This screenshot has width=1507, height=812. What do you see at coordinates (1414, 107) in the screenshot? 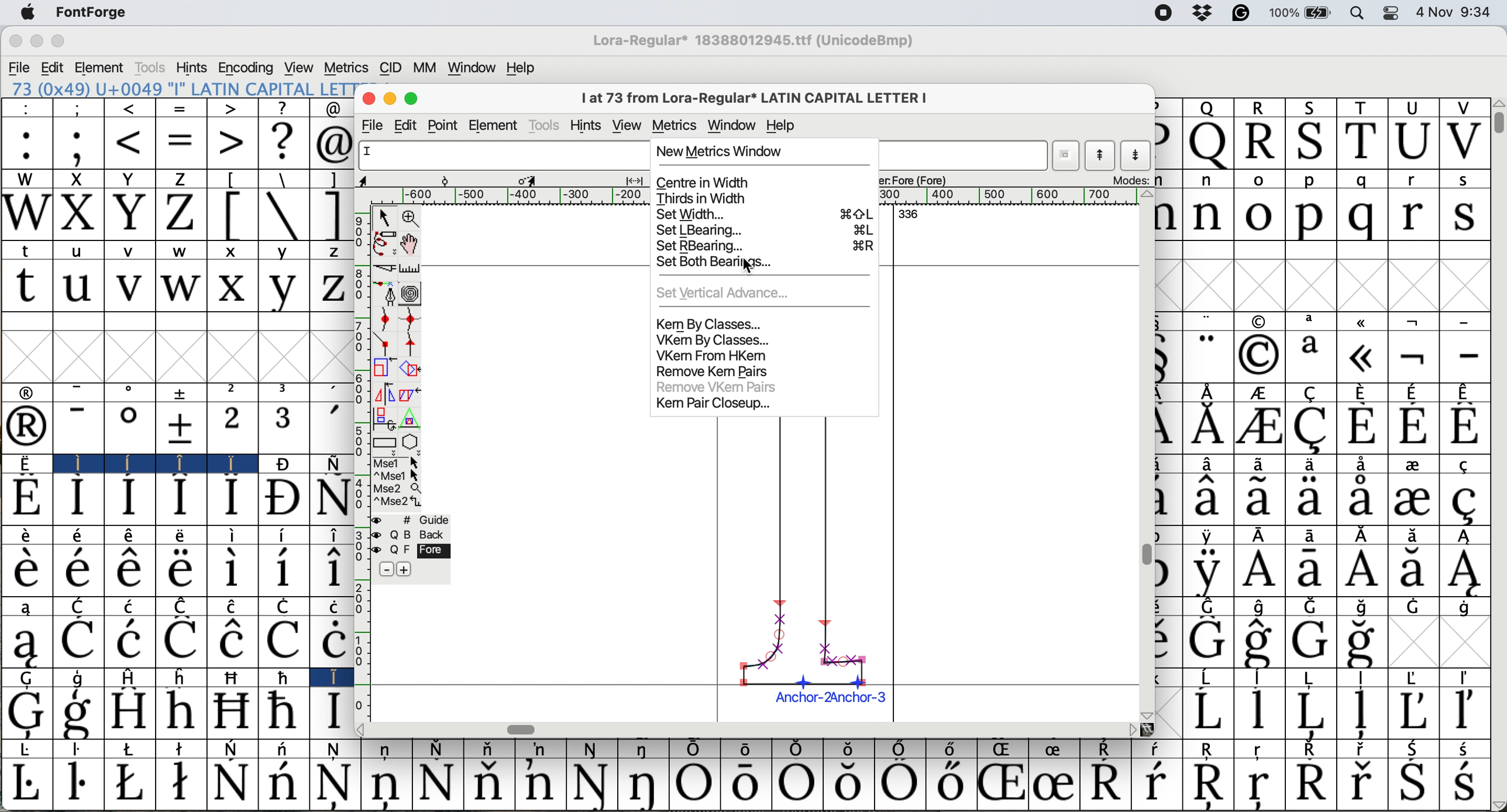
I see `U` at bounding box center [1414, 107].